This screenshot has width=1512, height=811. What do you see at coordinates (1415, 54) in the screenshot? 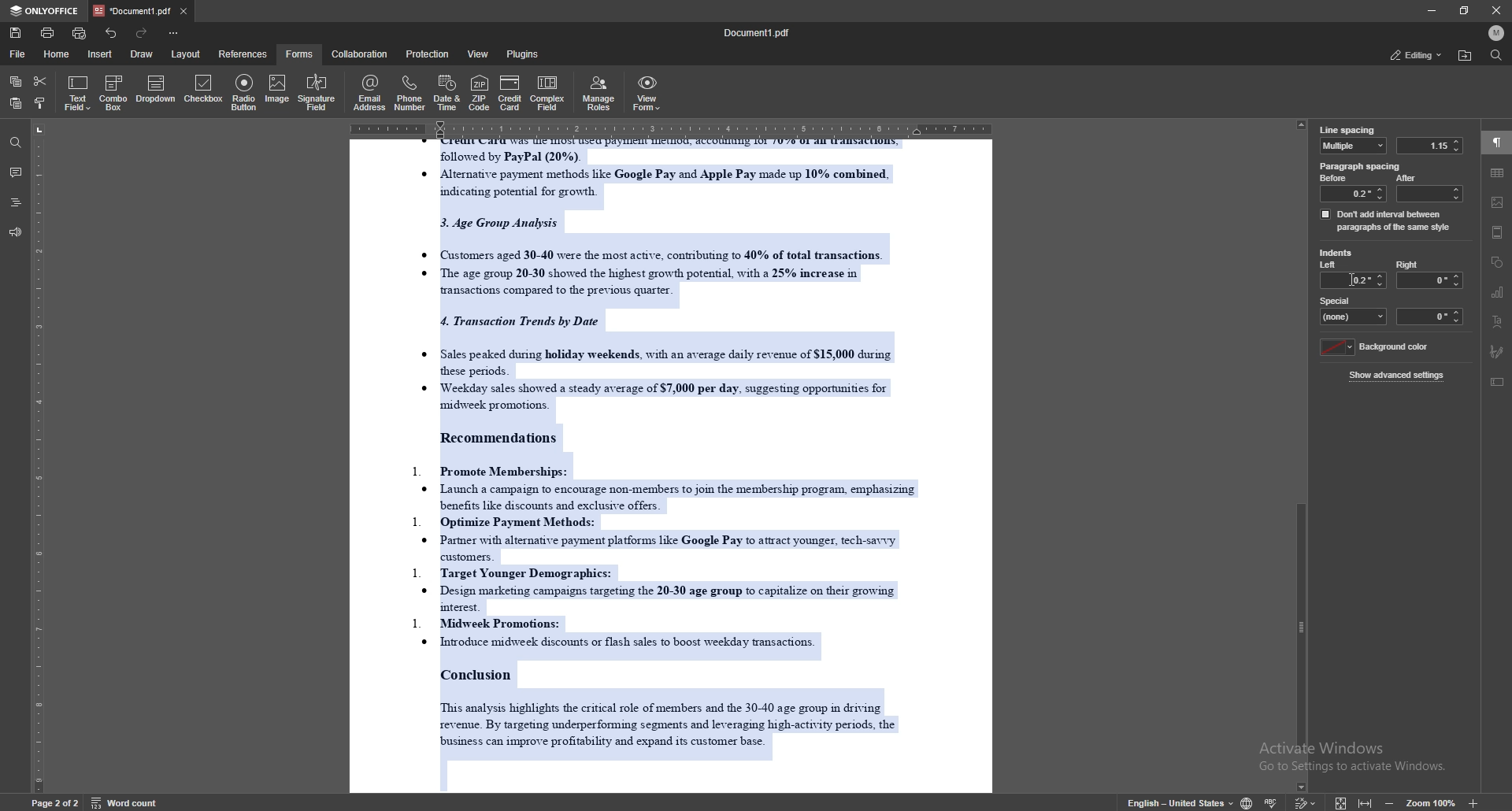
I see `status` at bounding box center [1415, 54].